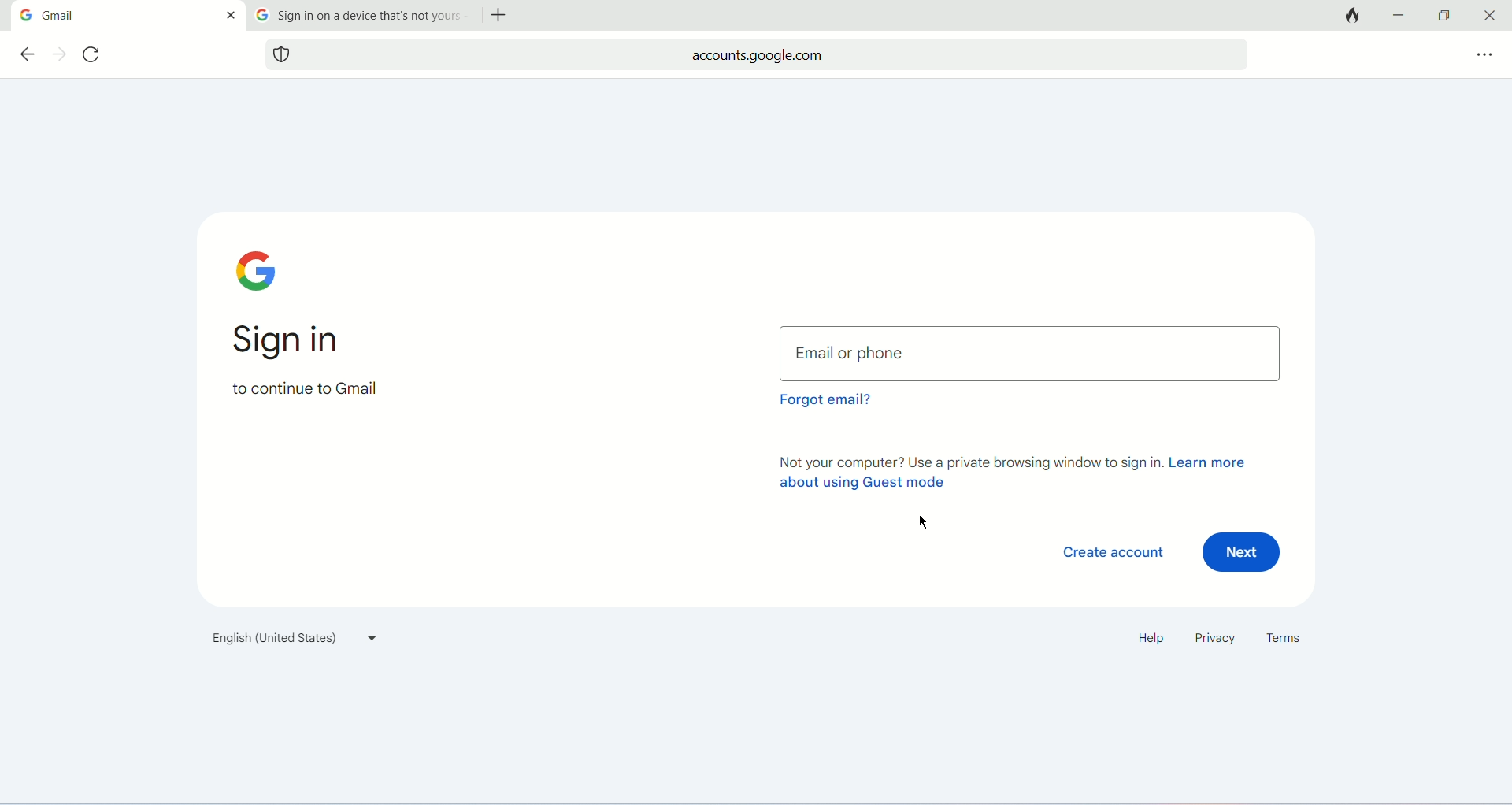 This screenshot has height=805, width=1512. What do you see at coordinates (304, 395) in the screenshot?
I see `to continue to gmail` at bounding box center [304, 395].